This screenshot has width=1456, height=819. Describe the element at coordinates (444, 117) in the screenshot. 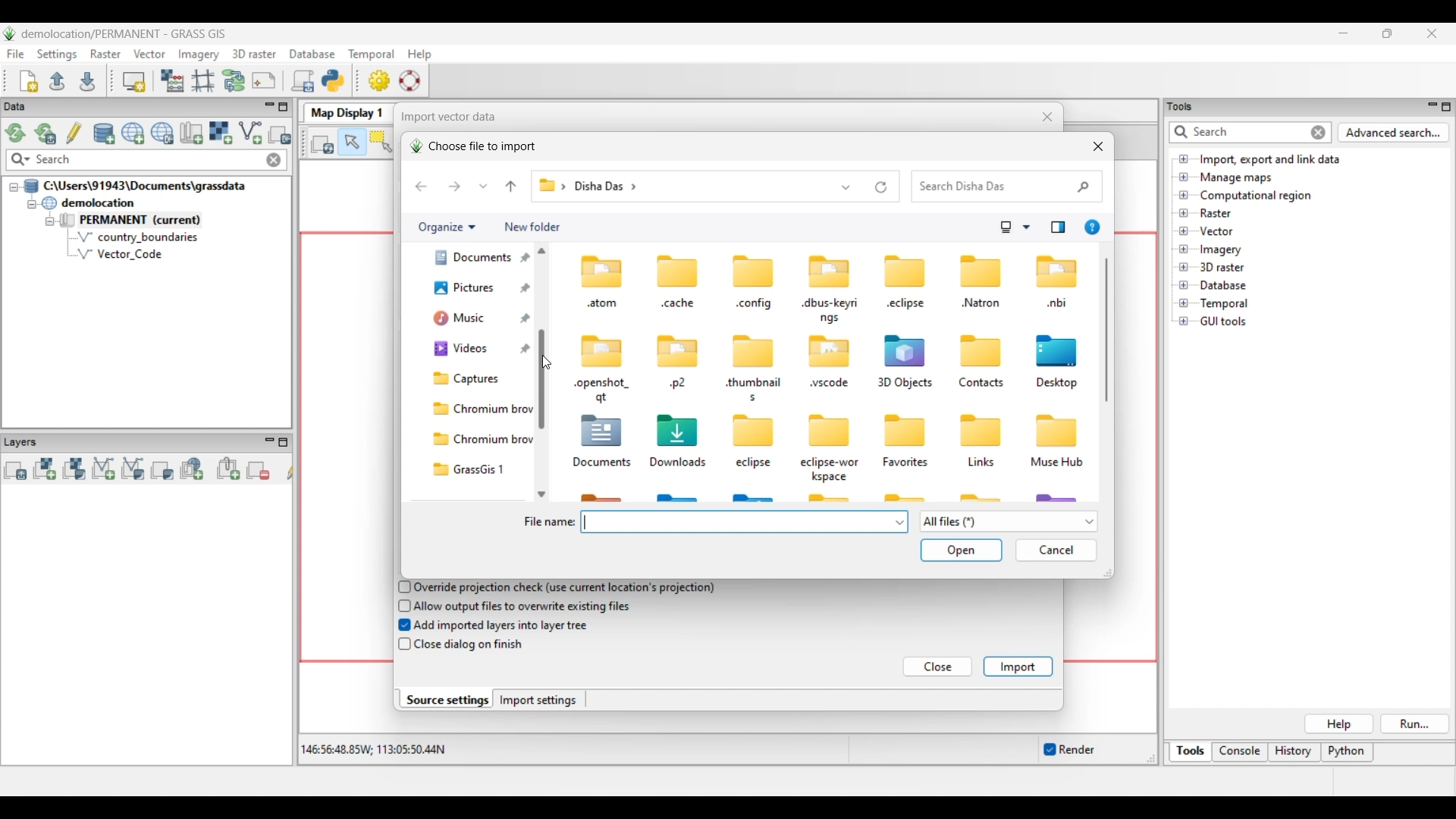

I see `| Import vector data` at that location.